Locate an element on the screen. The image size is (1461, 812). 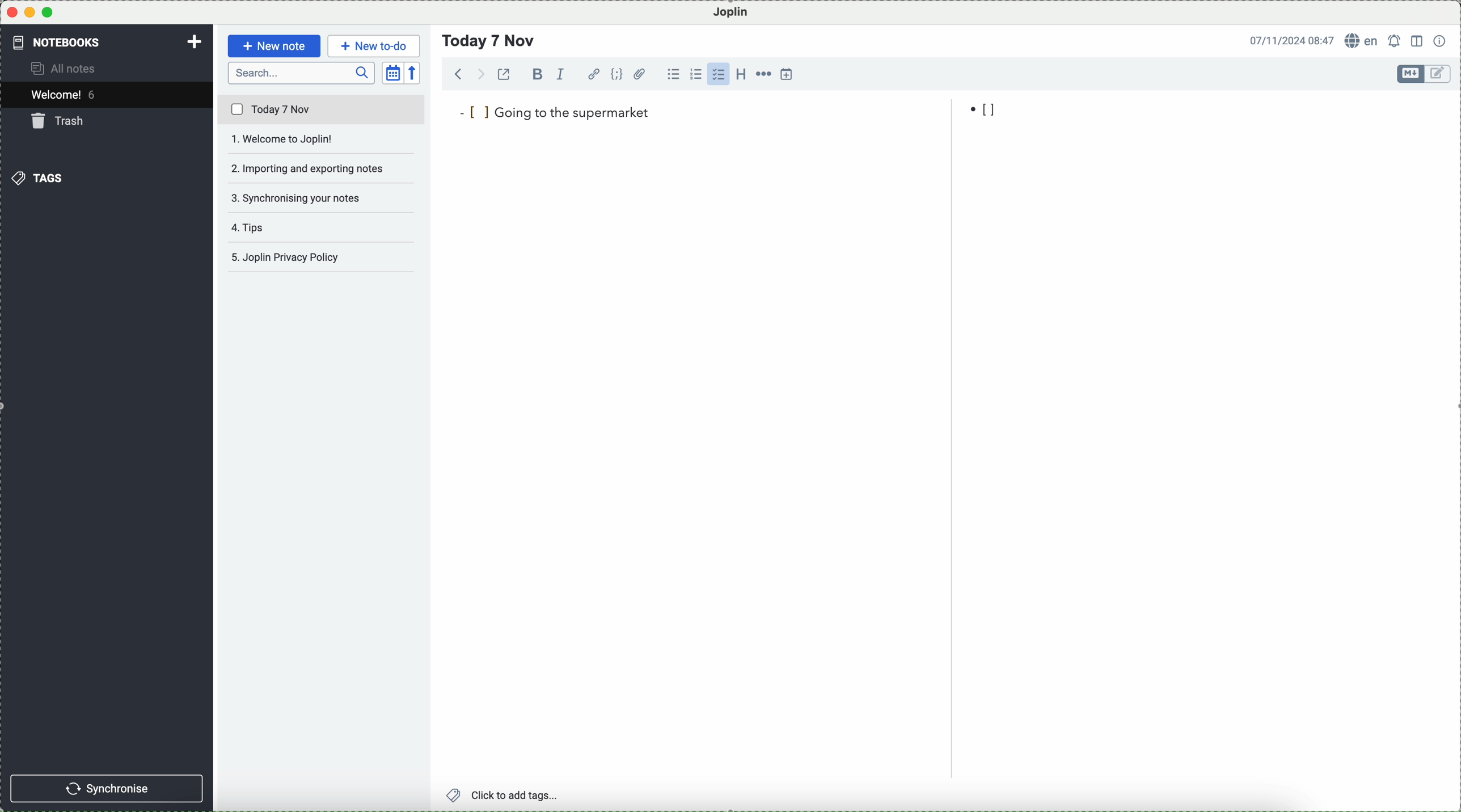
toggle editors is located at coordinates (1411, 74).